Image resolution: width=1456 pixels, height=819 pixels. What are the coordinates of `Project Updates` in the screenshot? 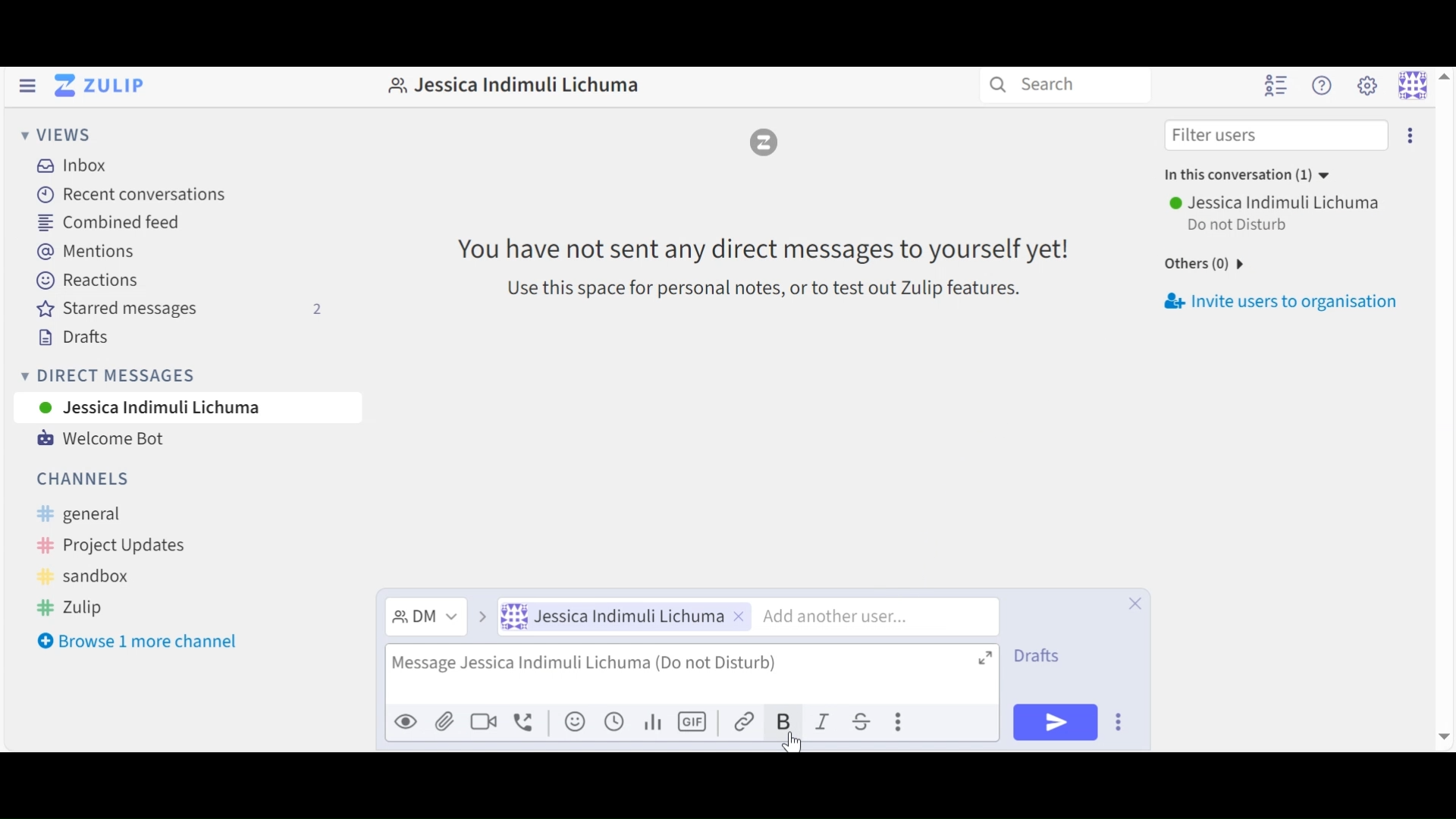 It's located at (107, 545).